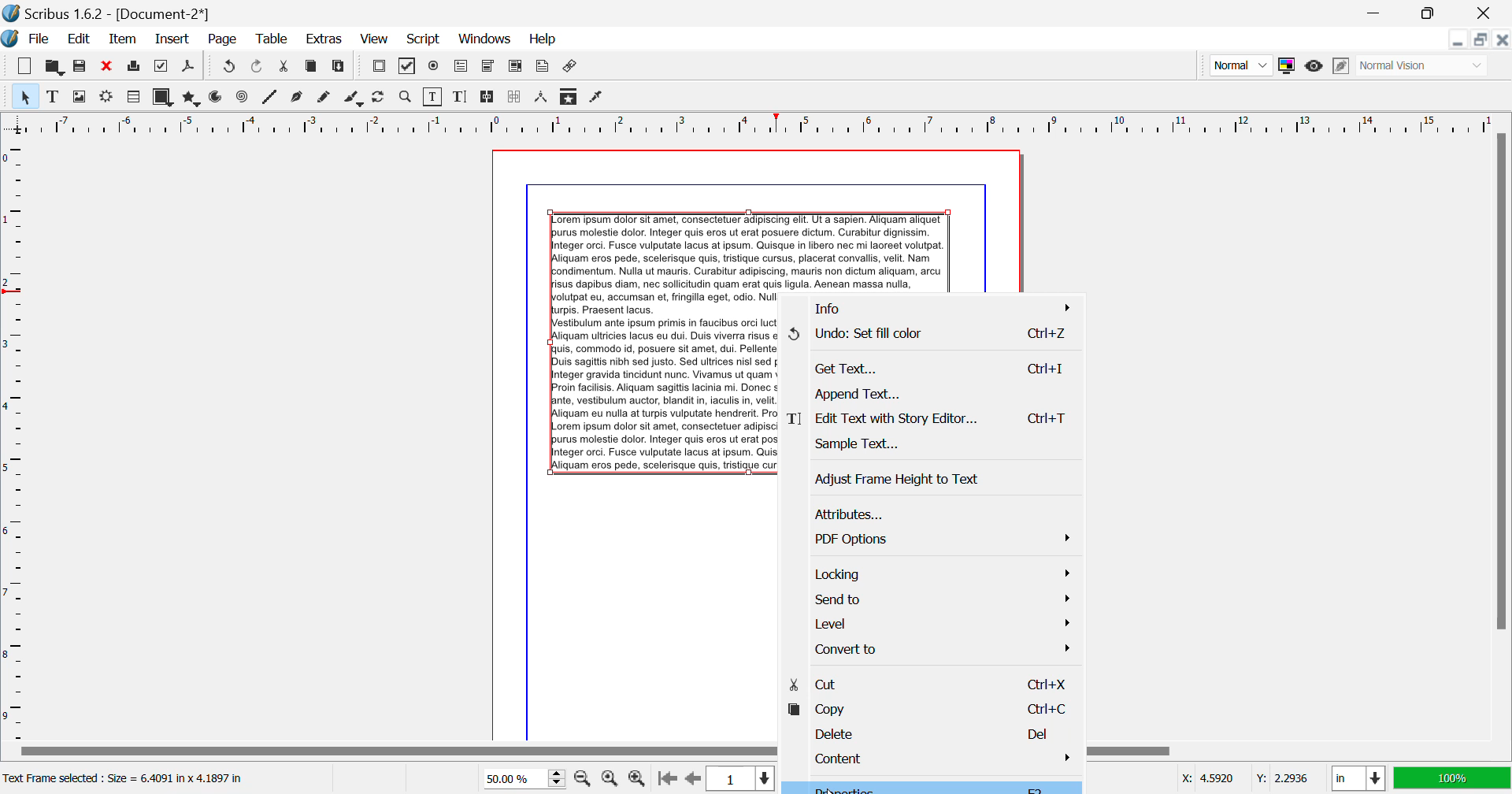 This screenshot has width=1512, height=794. Describe the element at coordinates (857, 788) in the screenshot. I see `Cursor Position` at that location.